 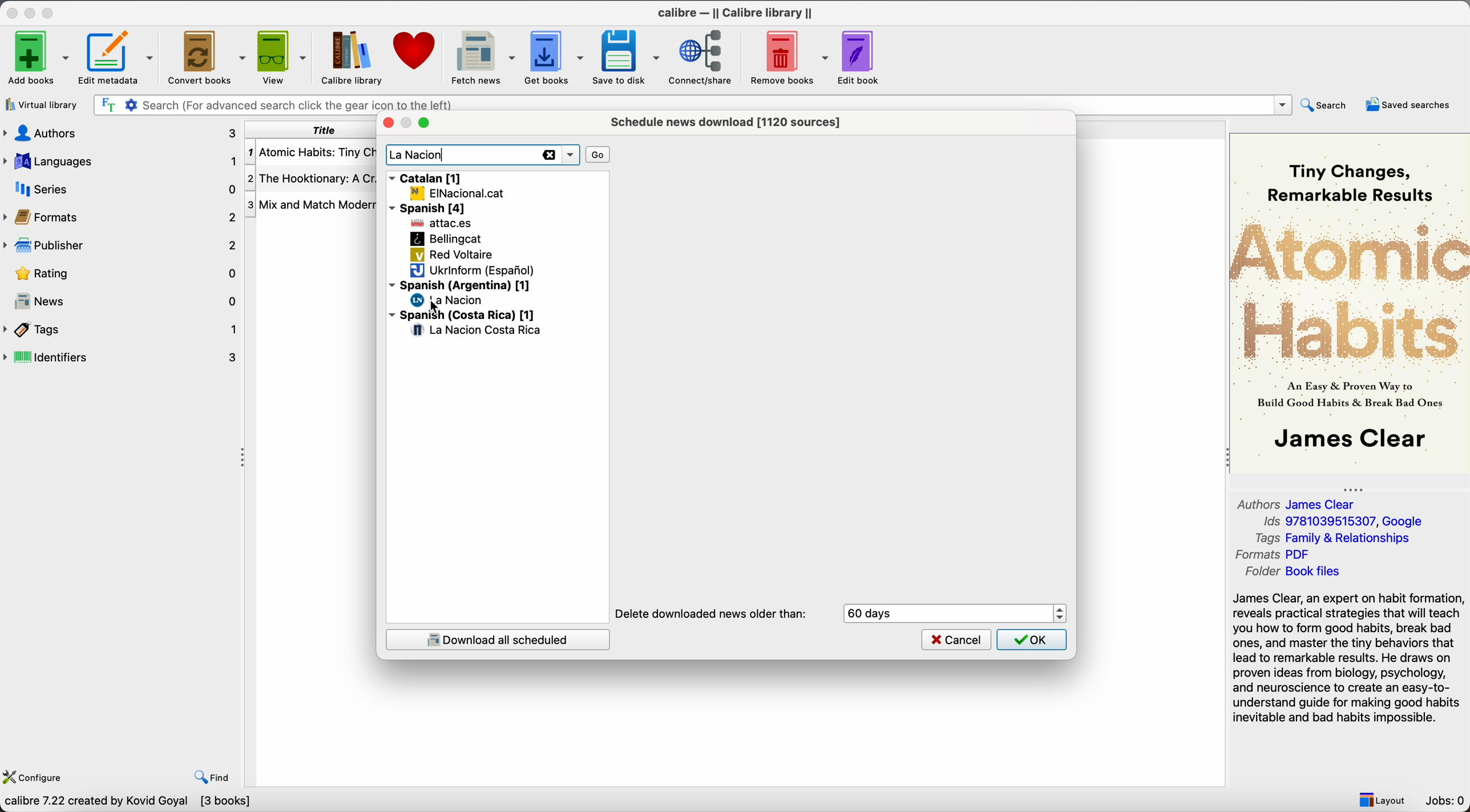 What do you see at coordinates (119, 245) in the screenshot?
I see `publisher` at bounding box center [119, 245].